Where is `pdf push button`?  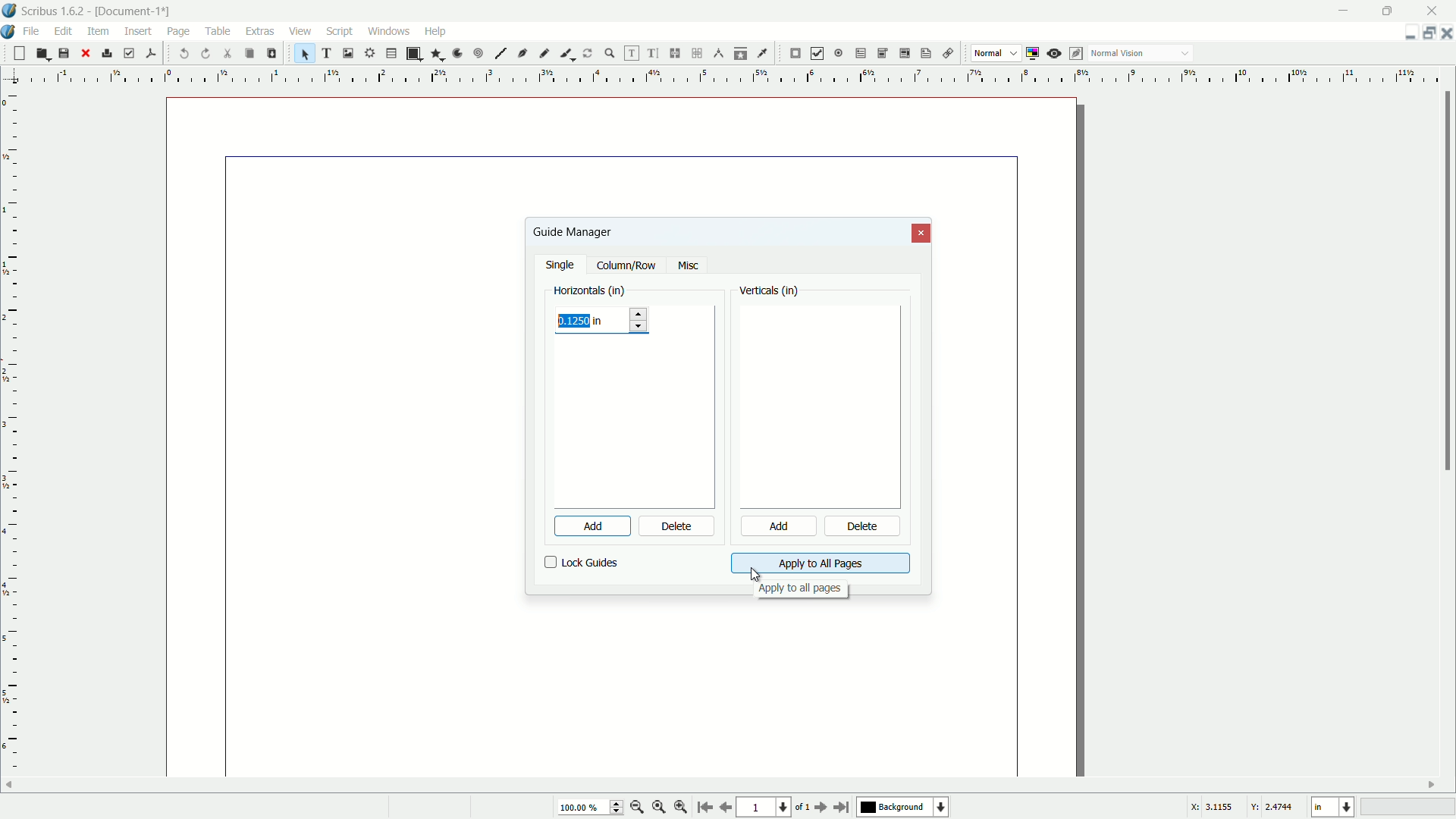 pdf push button is located at coordinates (795, 54).